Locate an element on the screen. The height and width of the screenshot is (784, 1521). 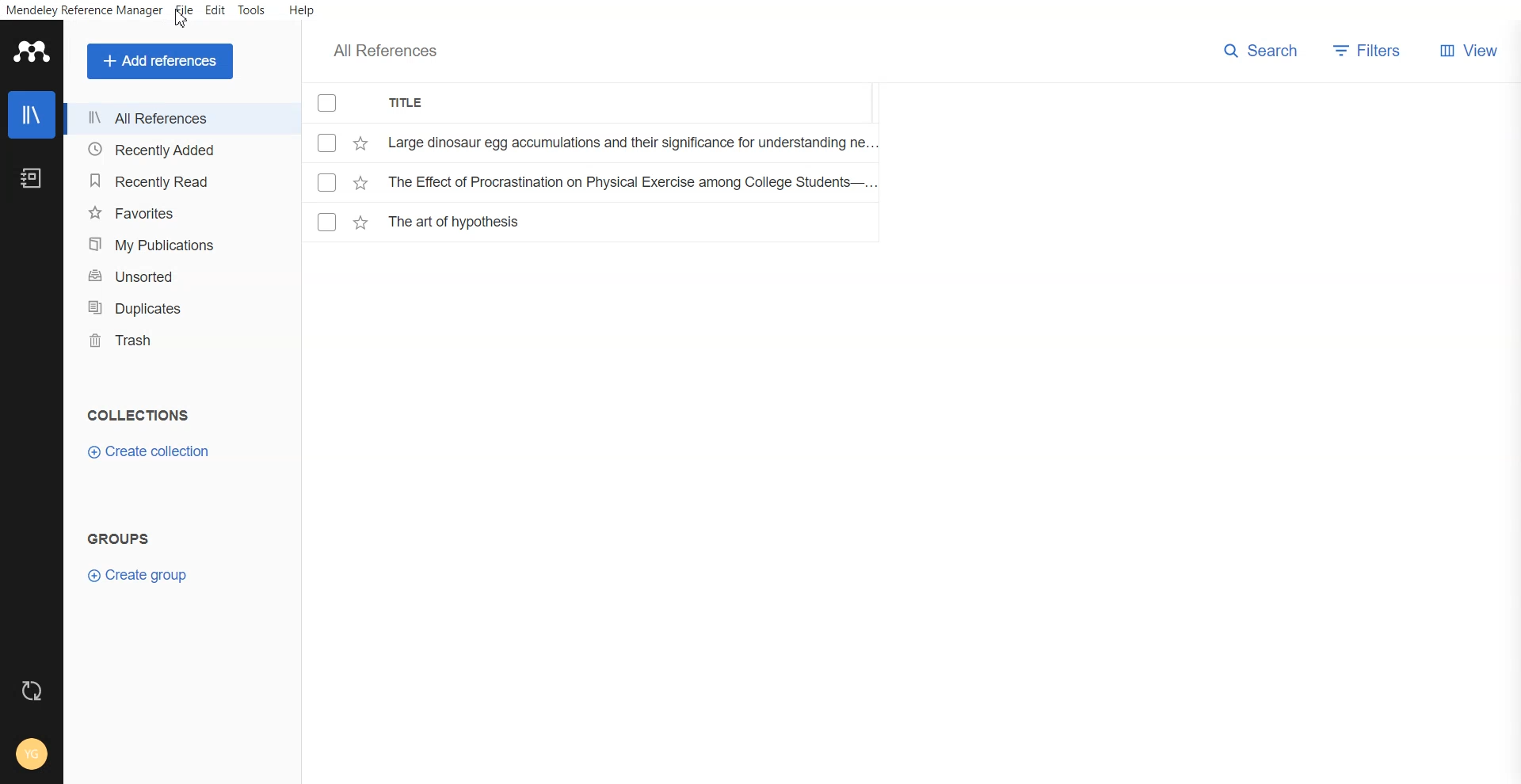
Veiw is located at coordinates (1468, 51).